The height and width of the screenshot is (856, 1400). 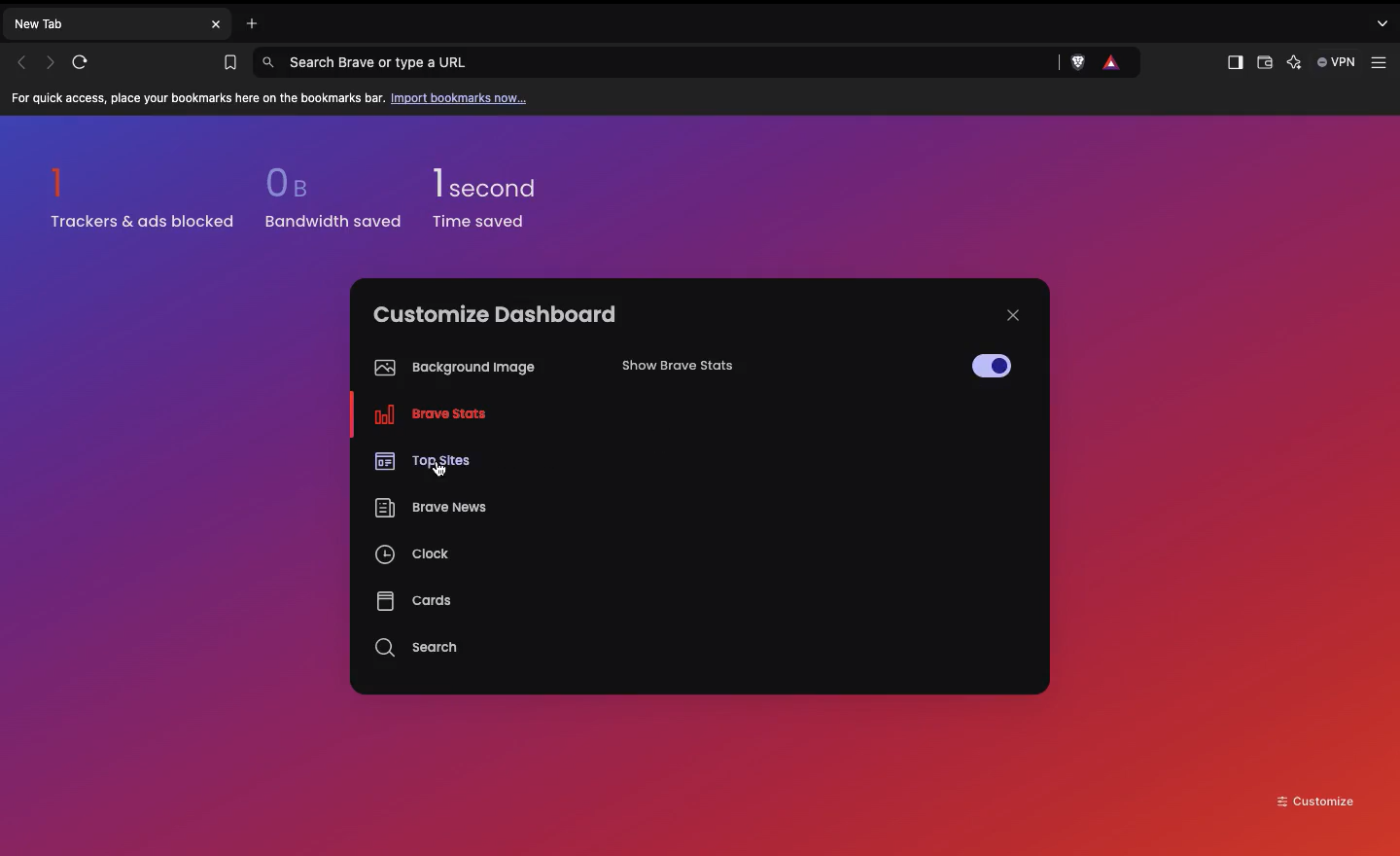 What do you see at coordinates (497, 190) in the screenshot?
I see `1 second time saved` at bounding box center [497, 190].